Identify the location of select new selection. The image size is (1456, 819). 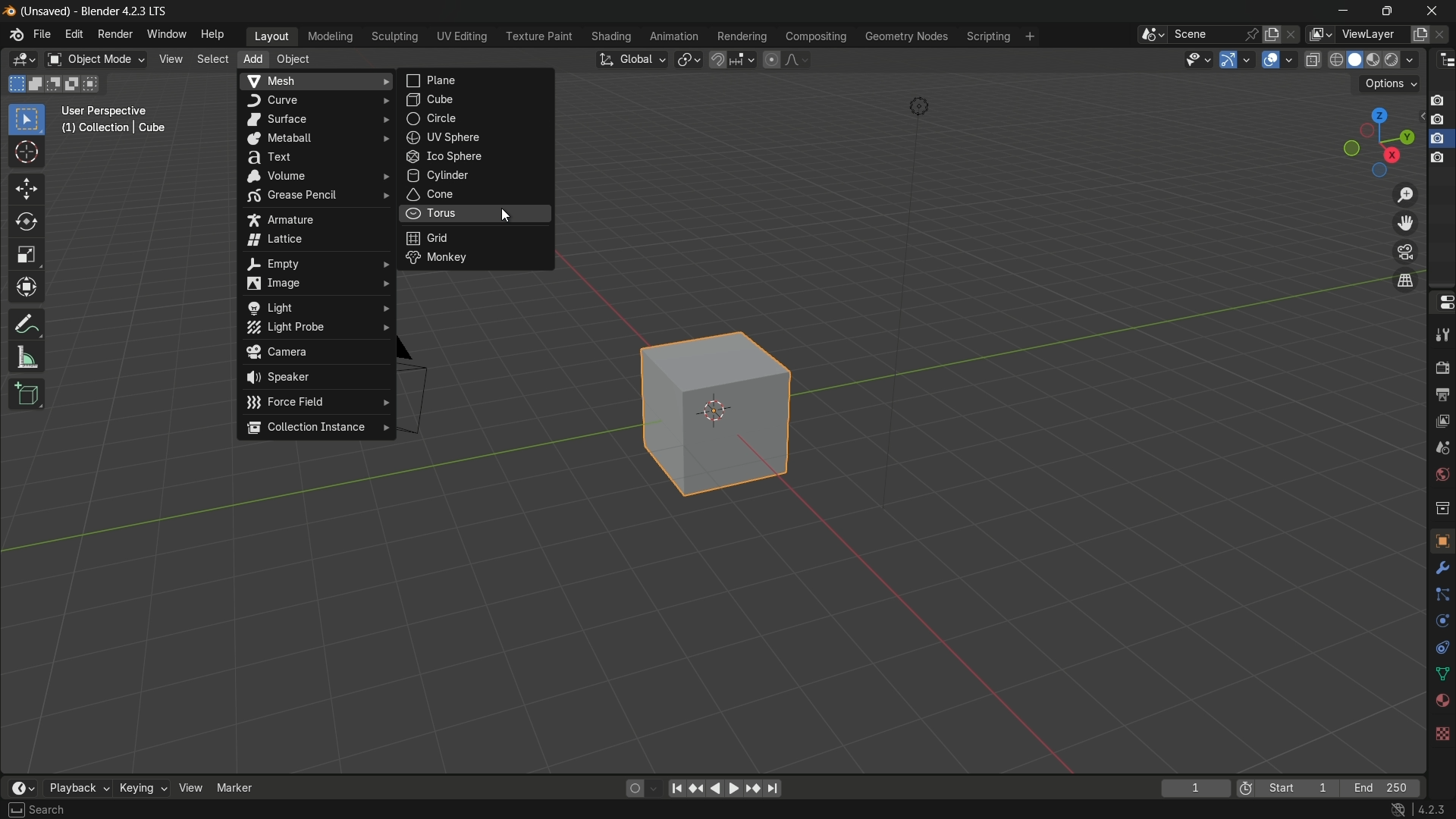
(14, 84).